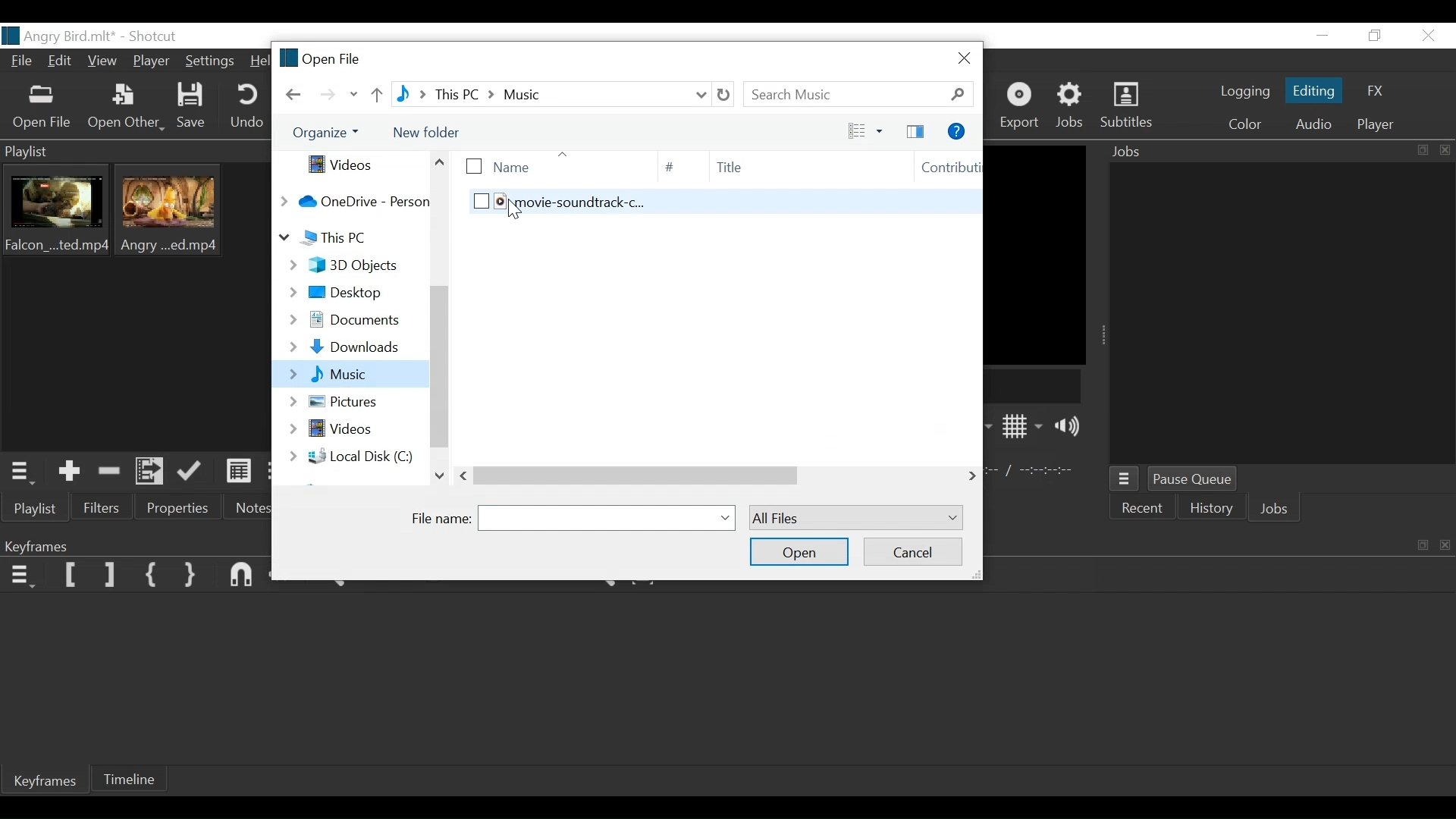 Image resolution: width=1456 pixels, height=819 pixels. What do you see at coordinates (1034, 471) in the screenshot?
I see `In point` at bounding box center [1034, 471].